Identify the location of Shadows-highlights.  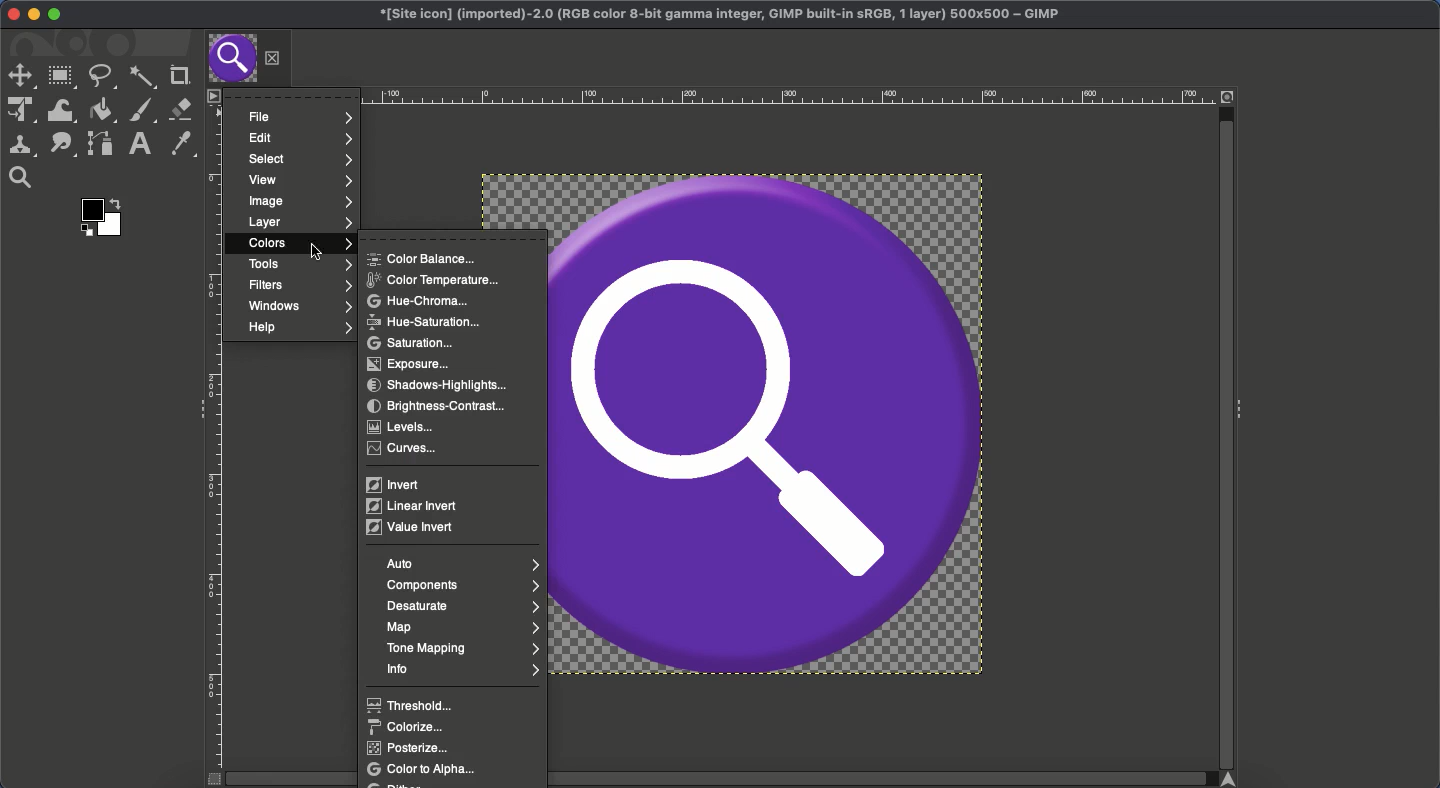
(439, 386).